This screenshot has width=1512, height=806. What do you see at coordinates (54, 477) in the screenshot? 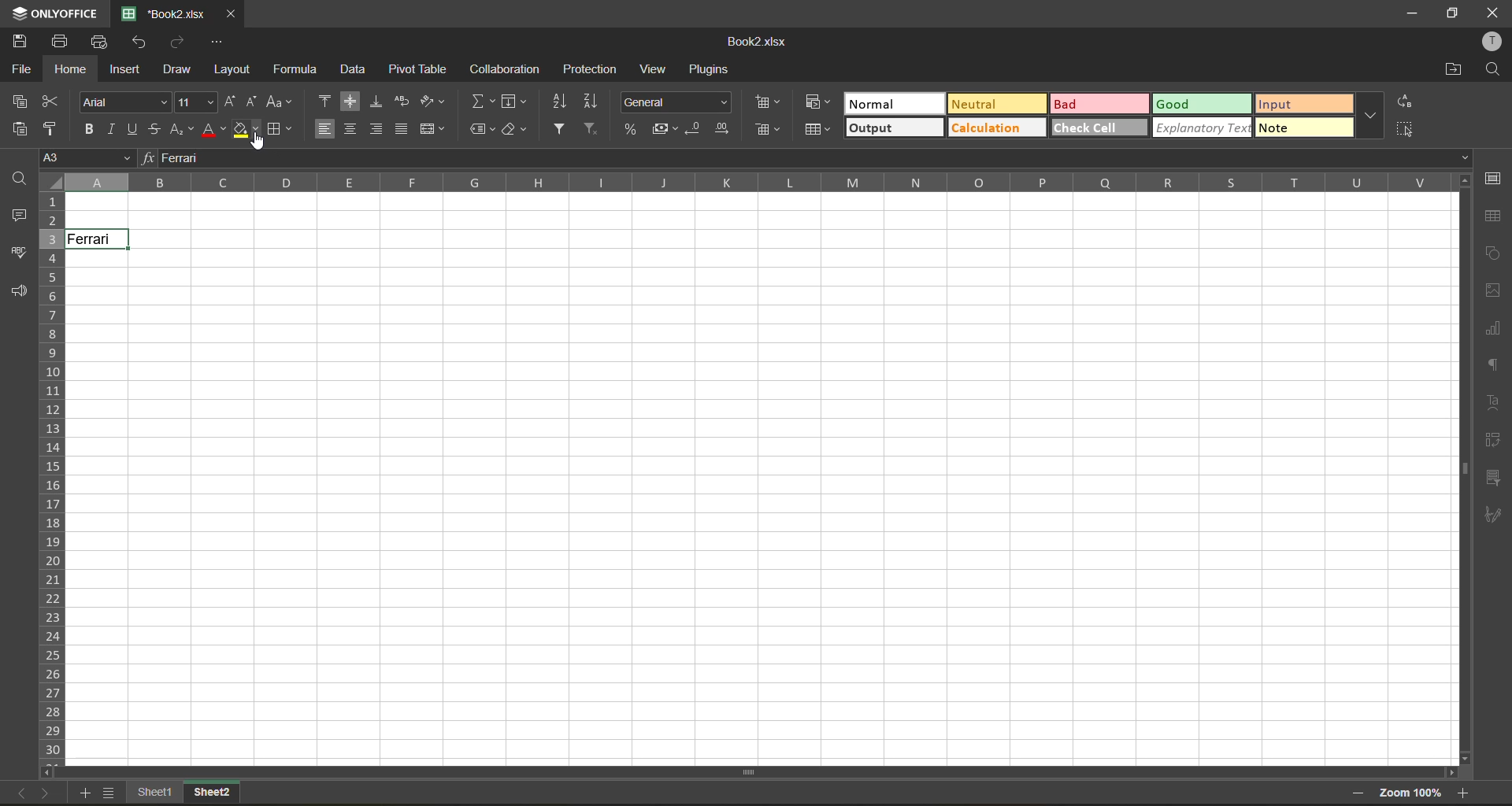
I see `row numbers` at bounding box center [54, 477].